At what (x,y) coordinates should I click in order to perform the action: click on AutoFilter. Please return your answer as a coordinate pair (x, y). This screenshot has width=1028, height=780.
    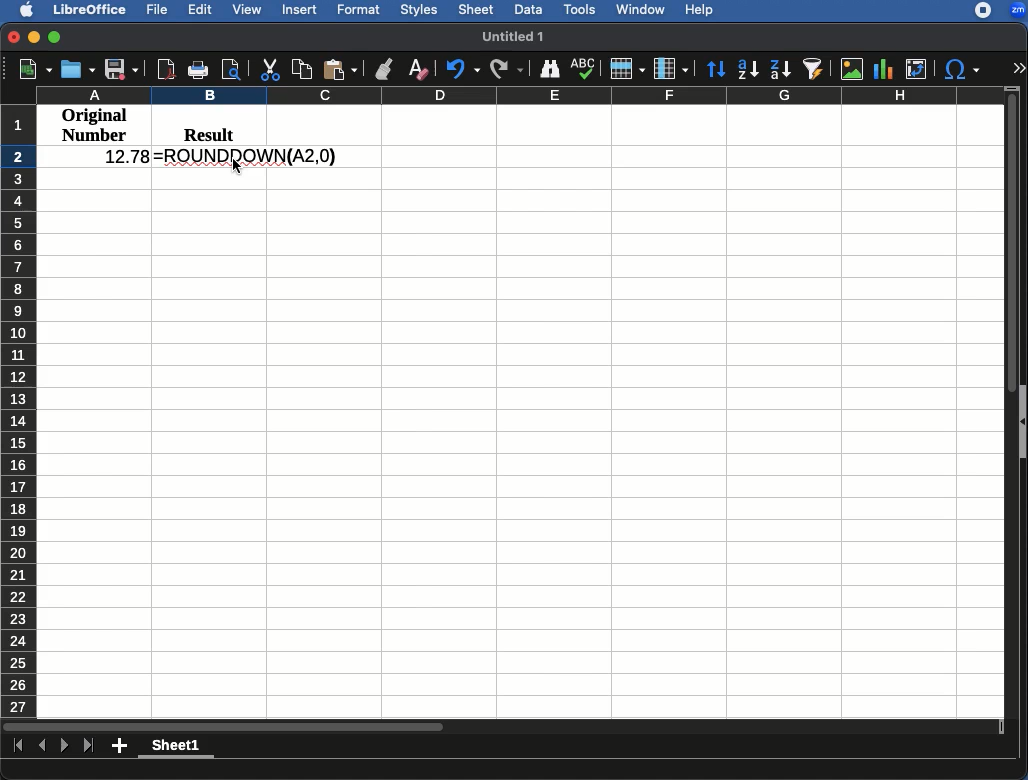
    Looking at the image, I should click on (813, 68).